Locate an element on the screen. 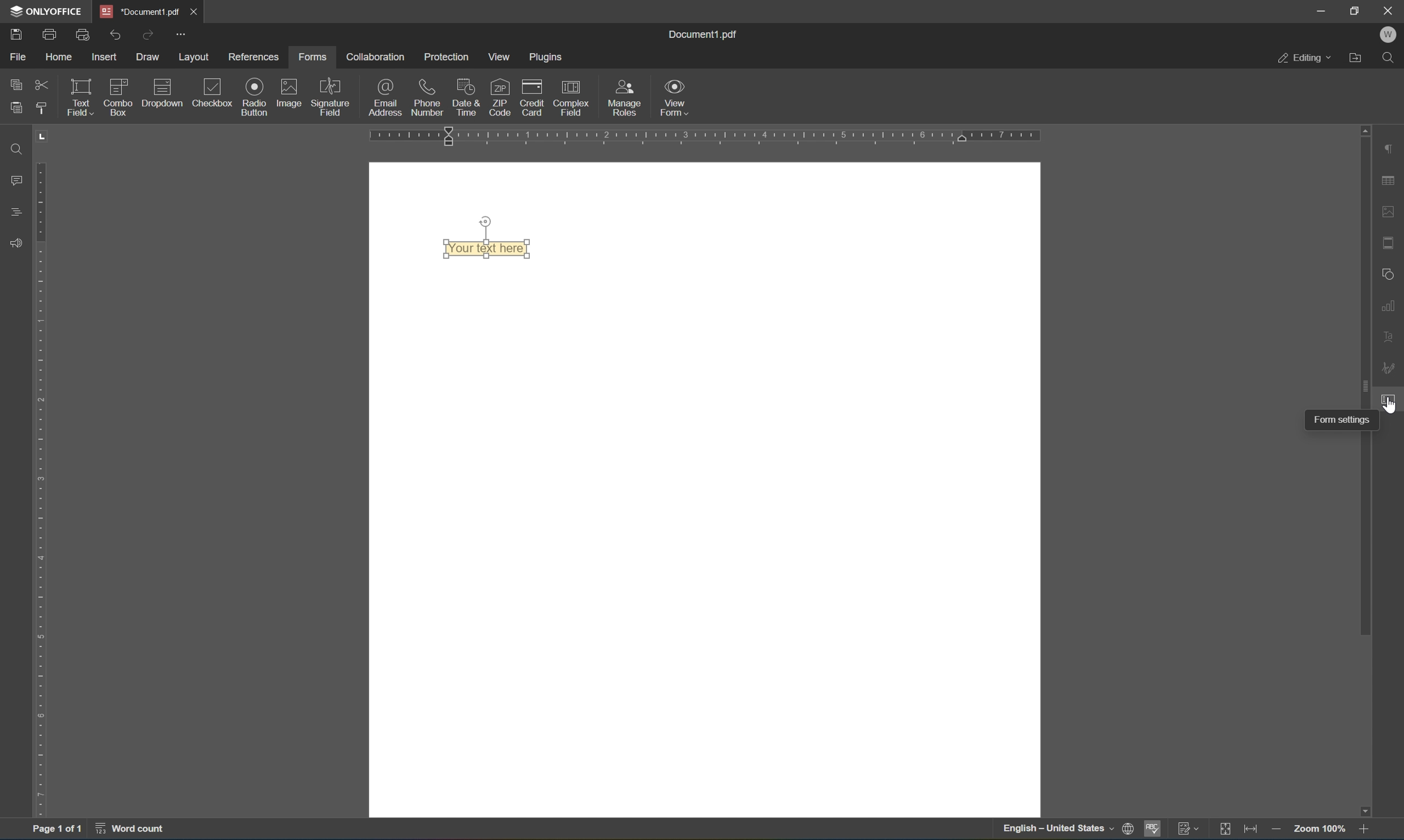 The height and width of the screenshot is (840, 1404). form settings is located at coordinates (1340, 421).